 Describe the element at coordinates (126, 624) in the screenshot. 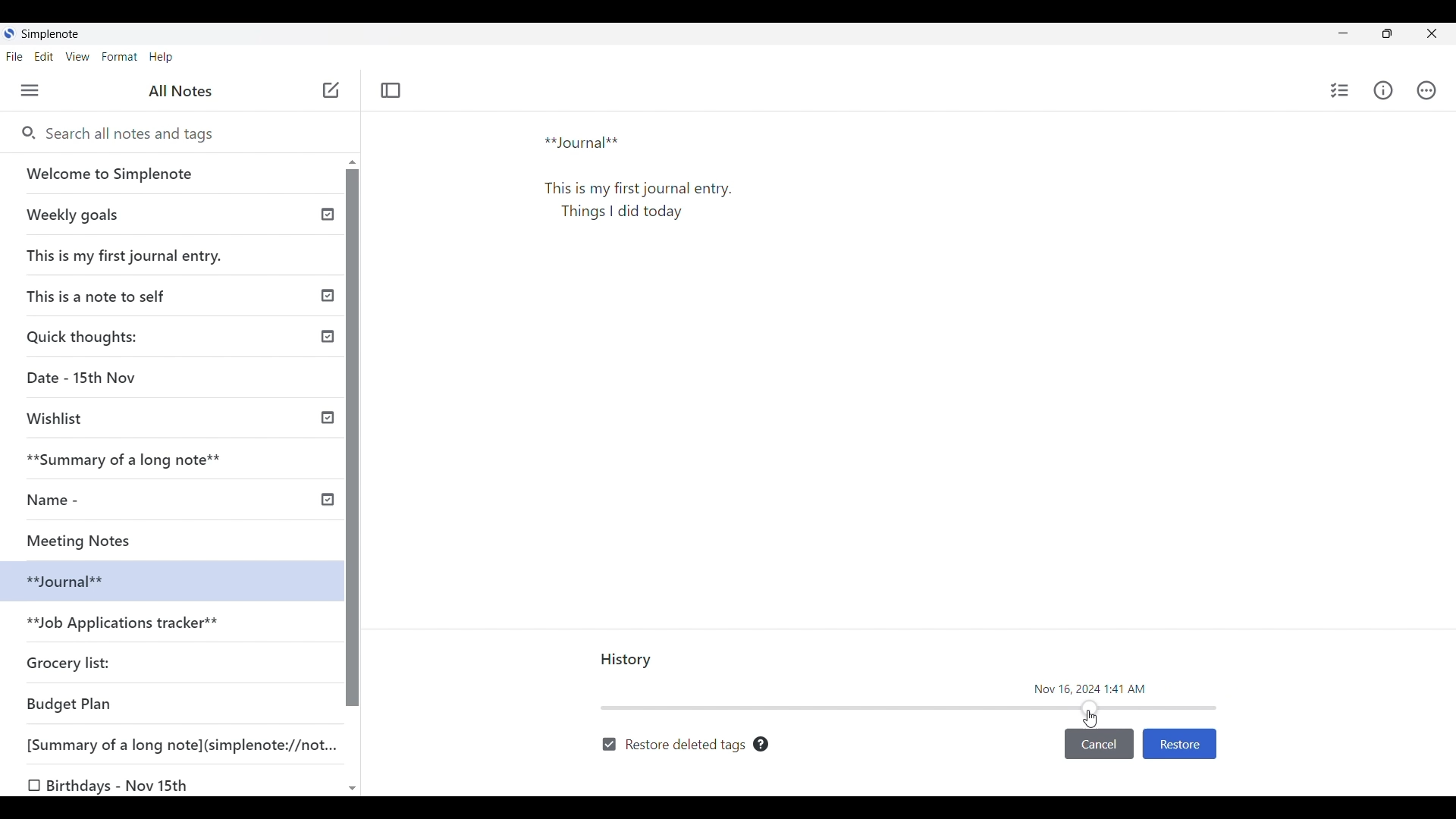

I see `**Job Applications tracker**` at that location.